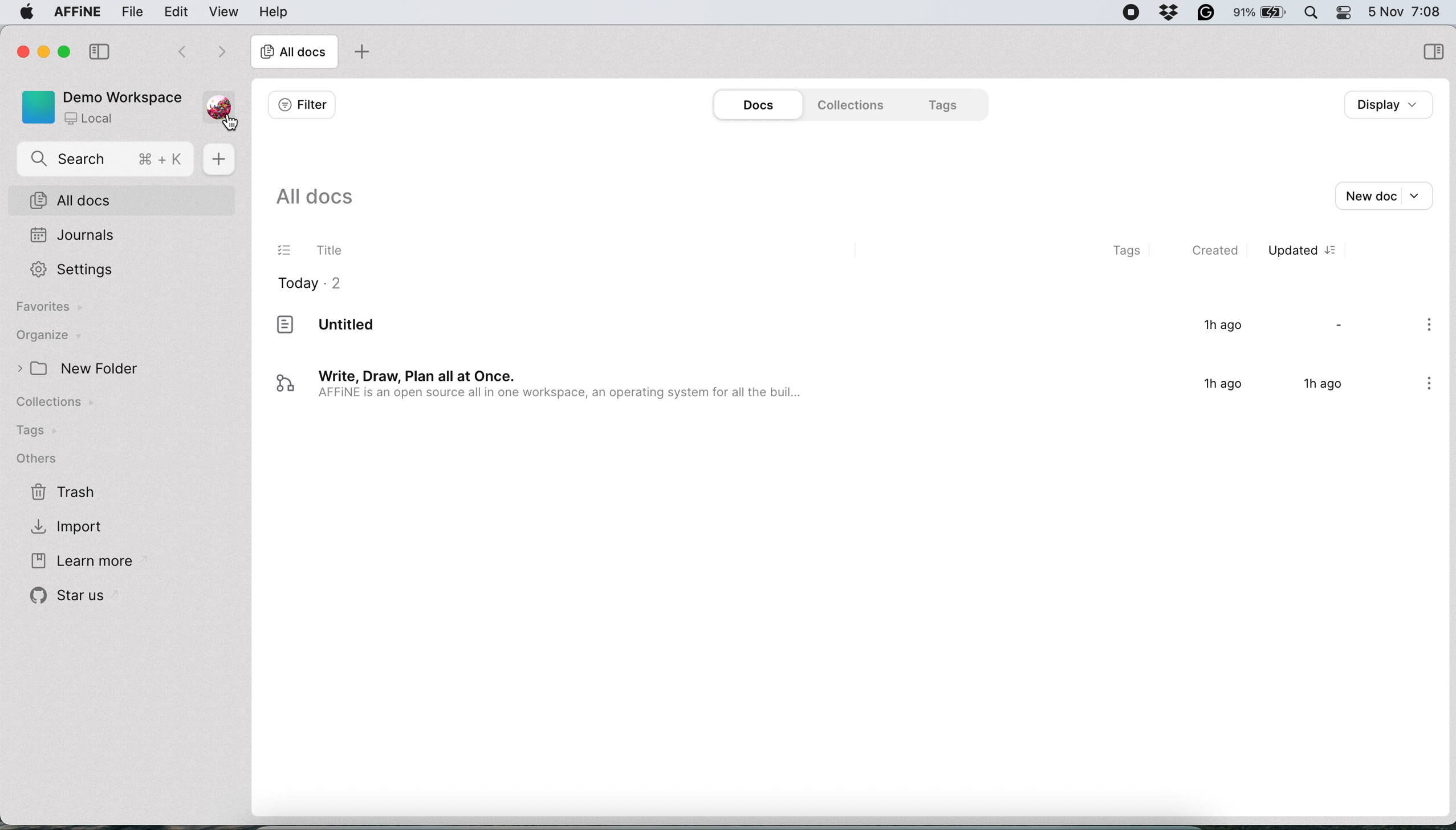 This screenshot has width=1456, height=830. What do you see at coordinates (753, 105) in the screenshot?
I see `docs` at bounding box center [753, 105].